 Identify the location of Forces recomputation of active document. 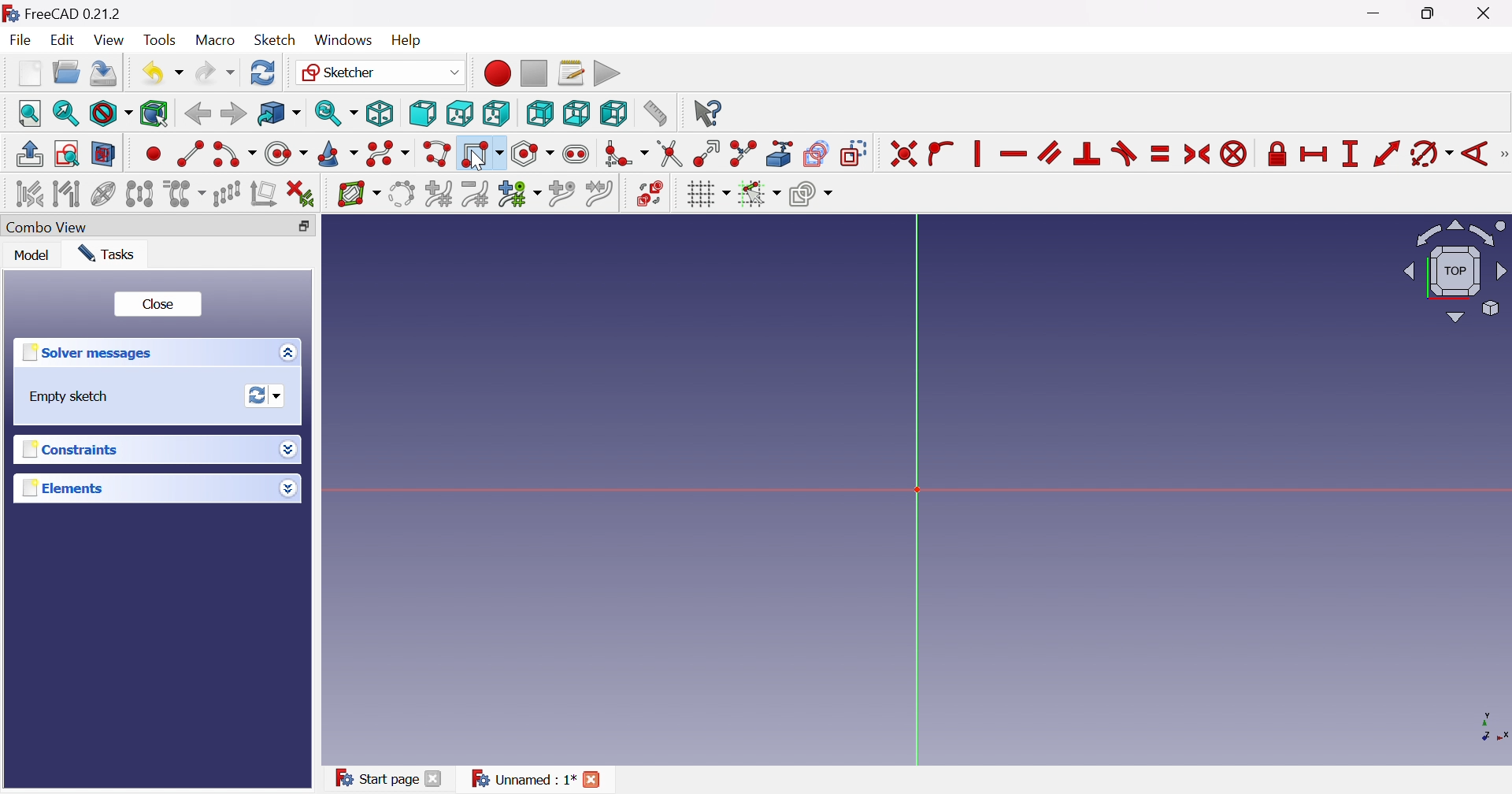
(269, 395).